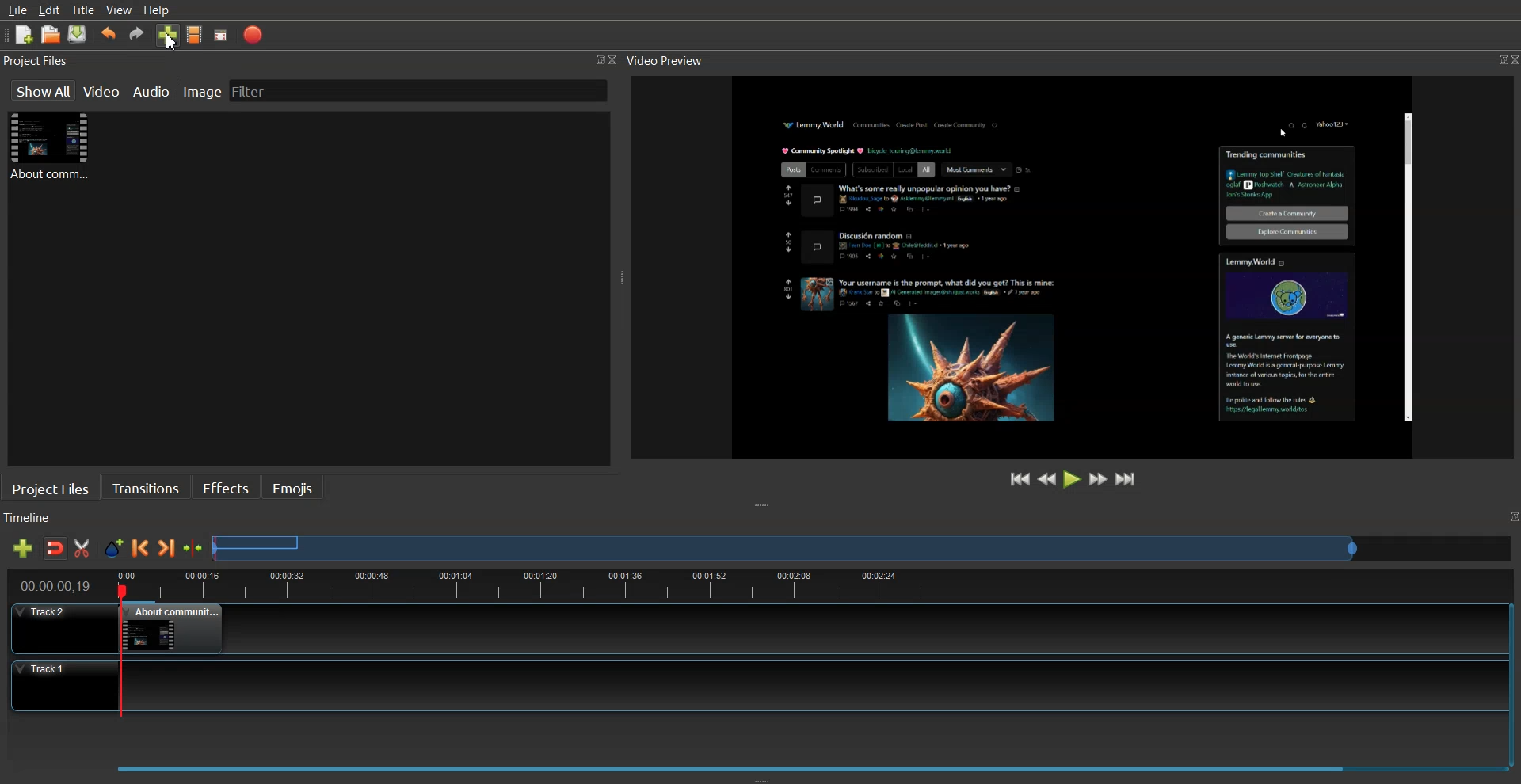  What do you see at coordinates (294, 487) in the screenshot?
I see `Emojis` at bounding box center [294, 487].